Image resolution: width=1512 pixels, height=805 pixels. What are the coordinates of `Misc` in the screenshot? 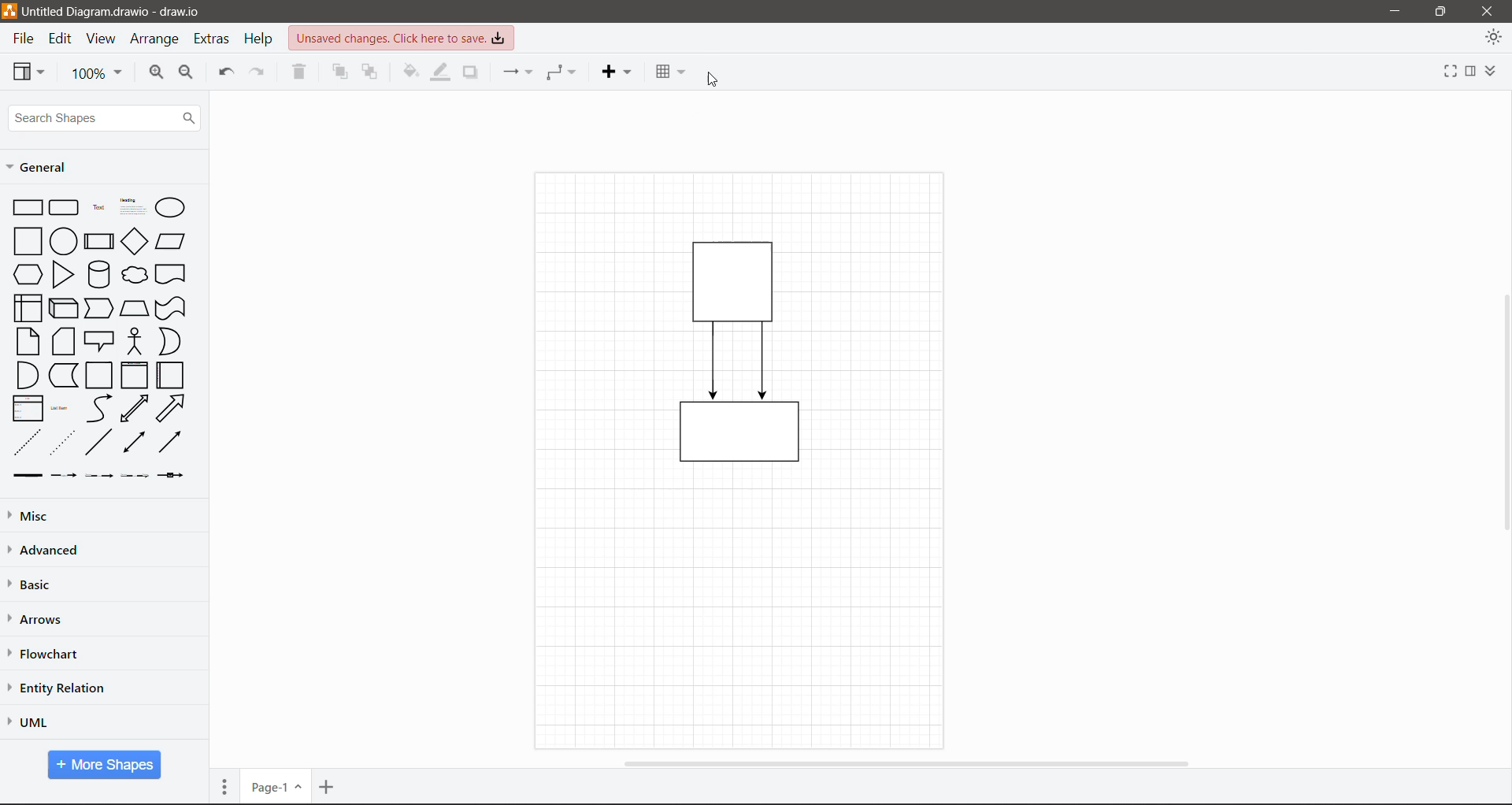 It's located at (64, 515).